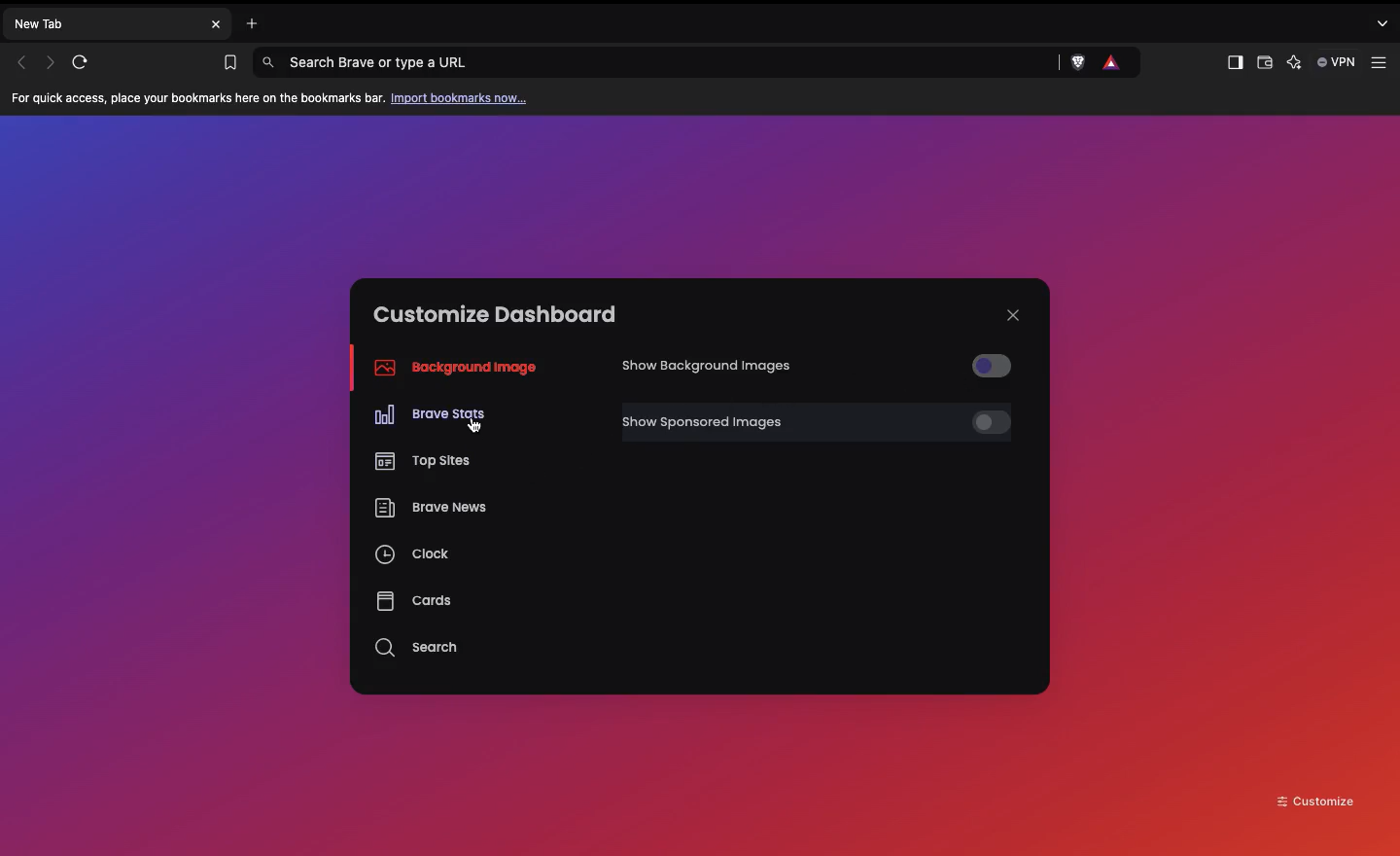 This screenshot has width=1400, height=856. I want to click on Rewards, so click(1112, 63).